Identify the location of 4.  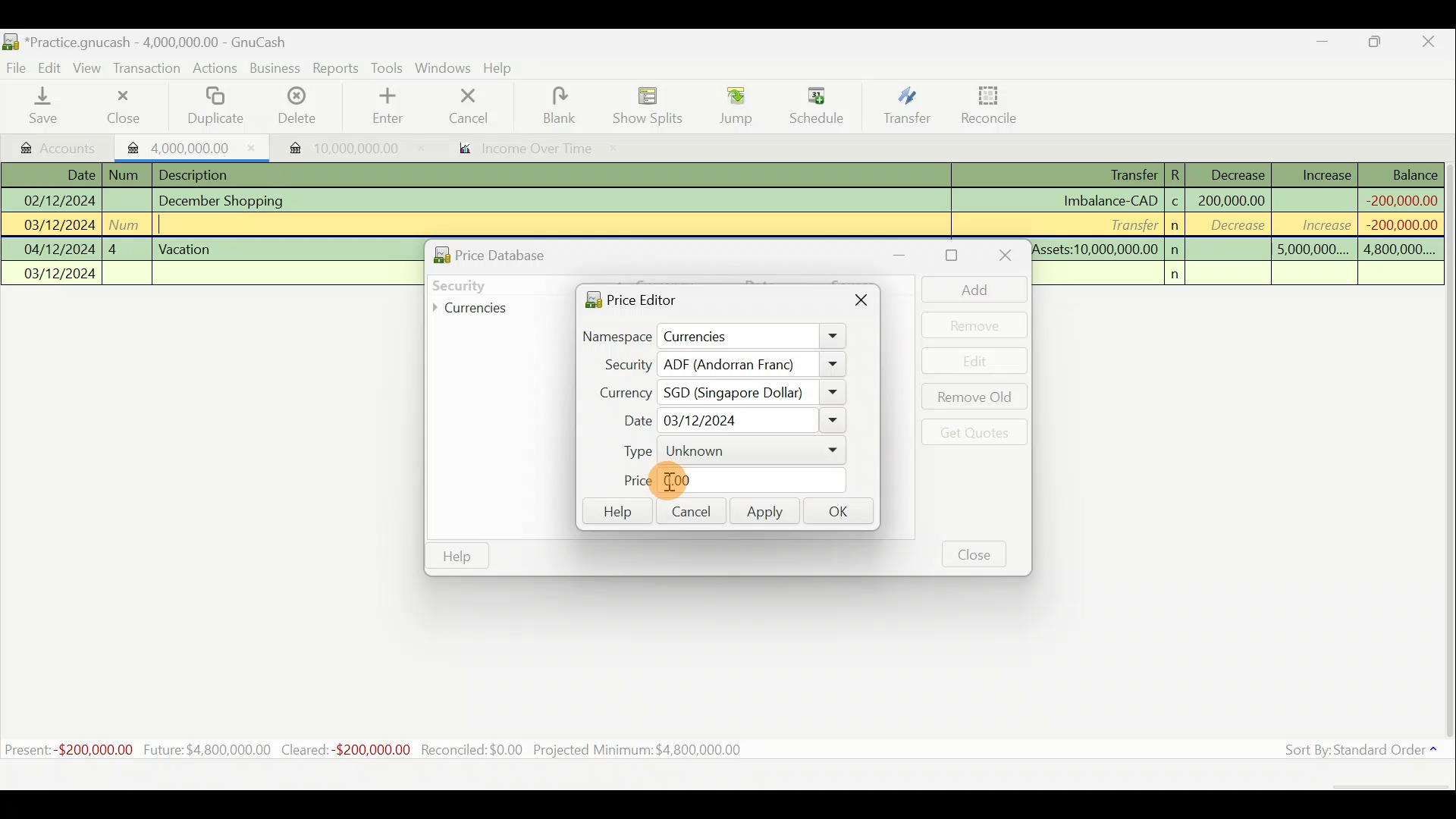
(126, 247).